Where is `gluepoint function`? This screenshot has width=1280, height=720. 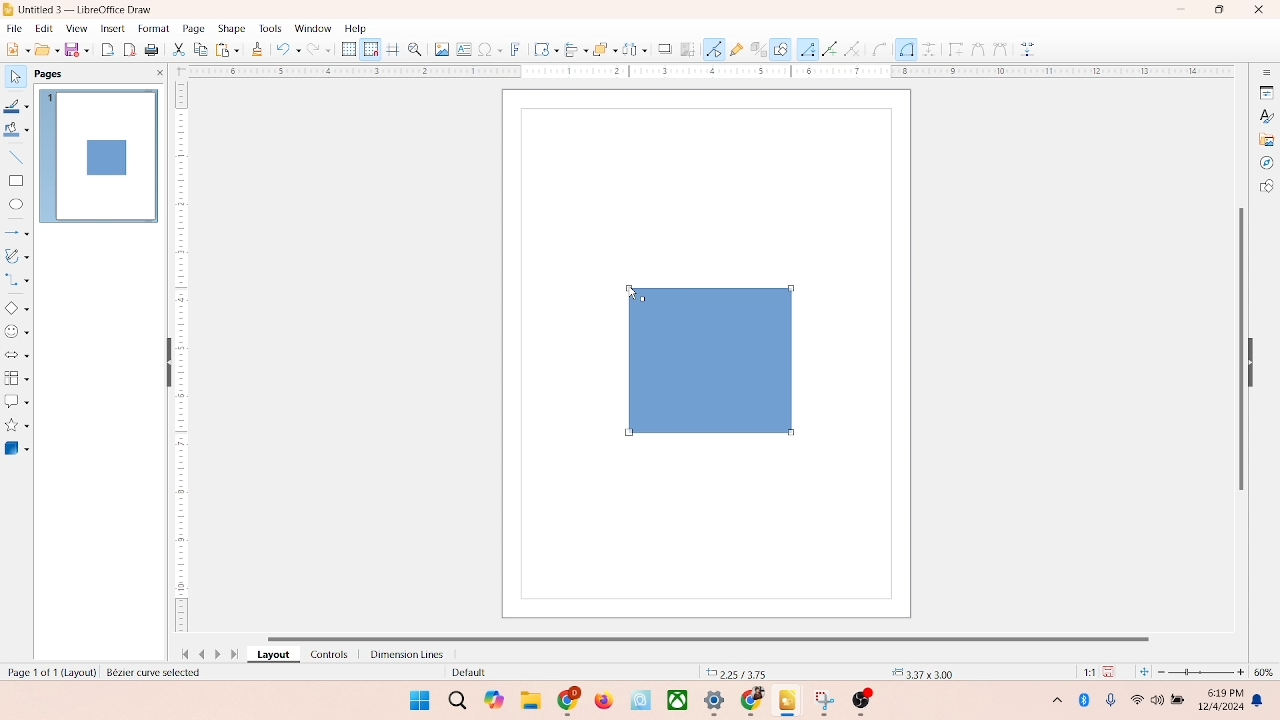
gluepoint function is located at coordinates (735, 50).